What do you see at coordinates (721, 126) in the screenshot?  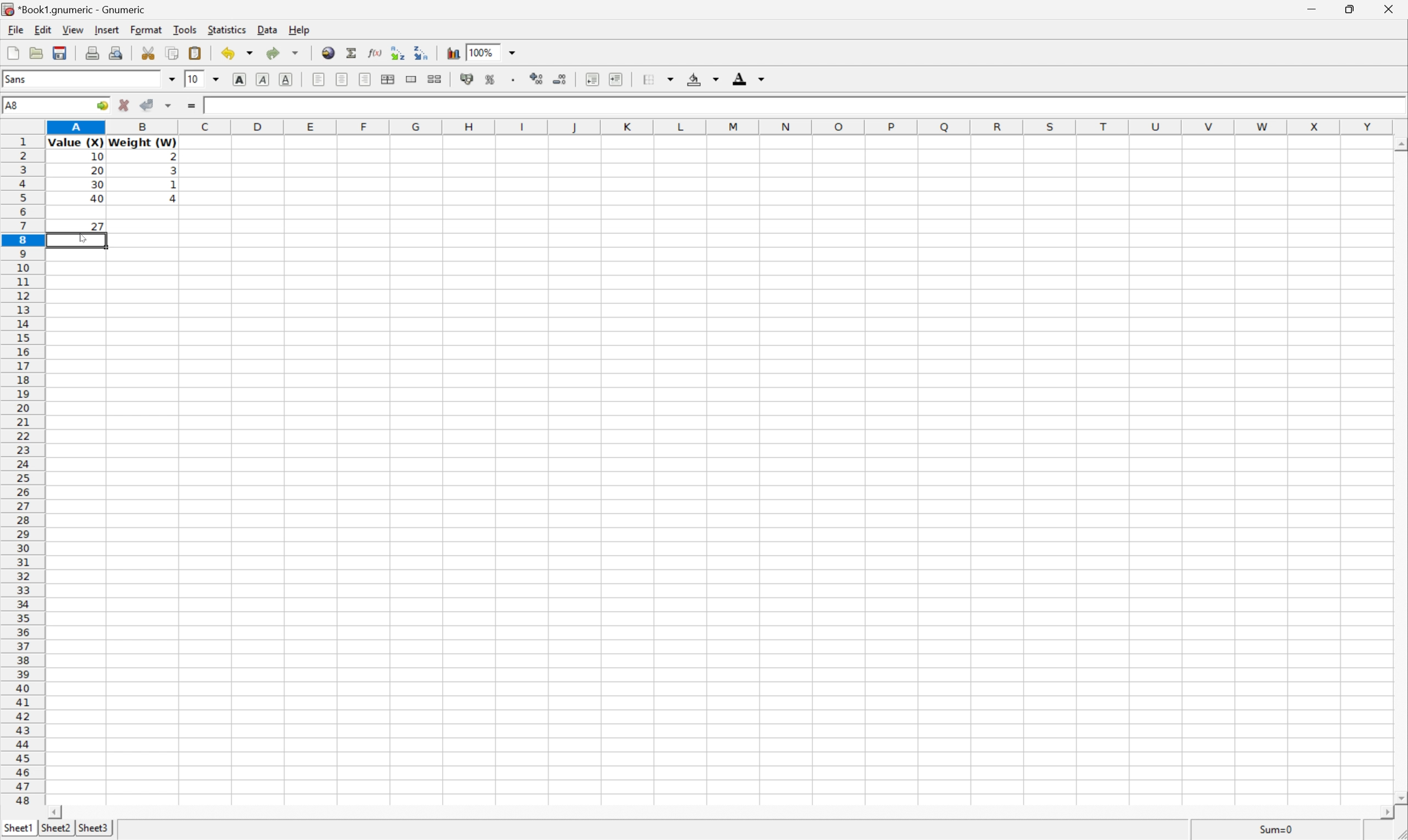 I see `Column Names` at bounding box center [721, 126].